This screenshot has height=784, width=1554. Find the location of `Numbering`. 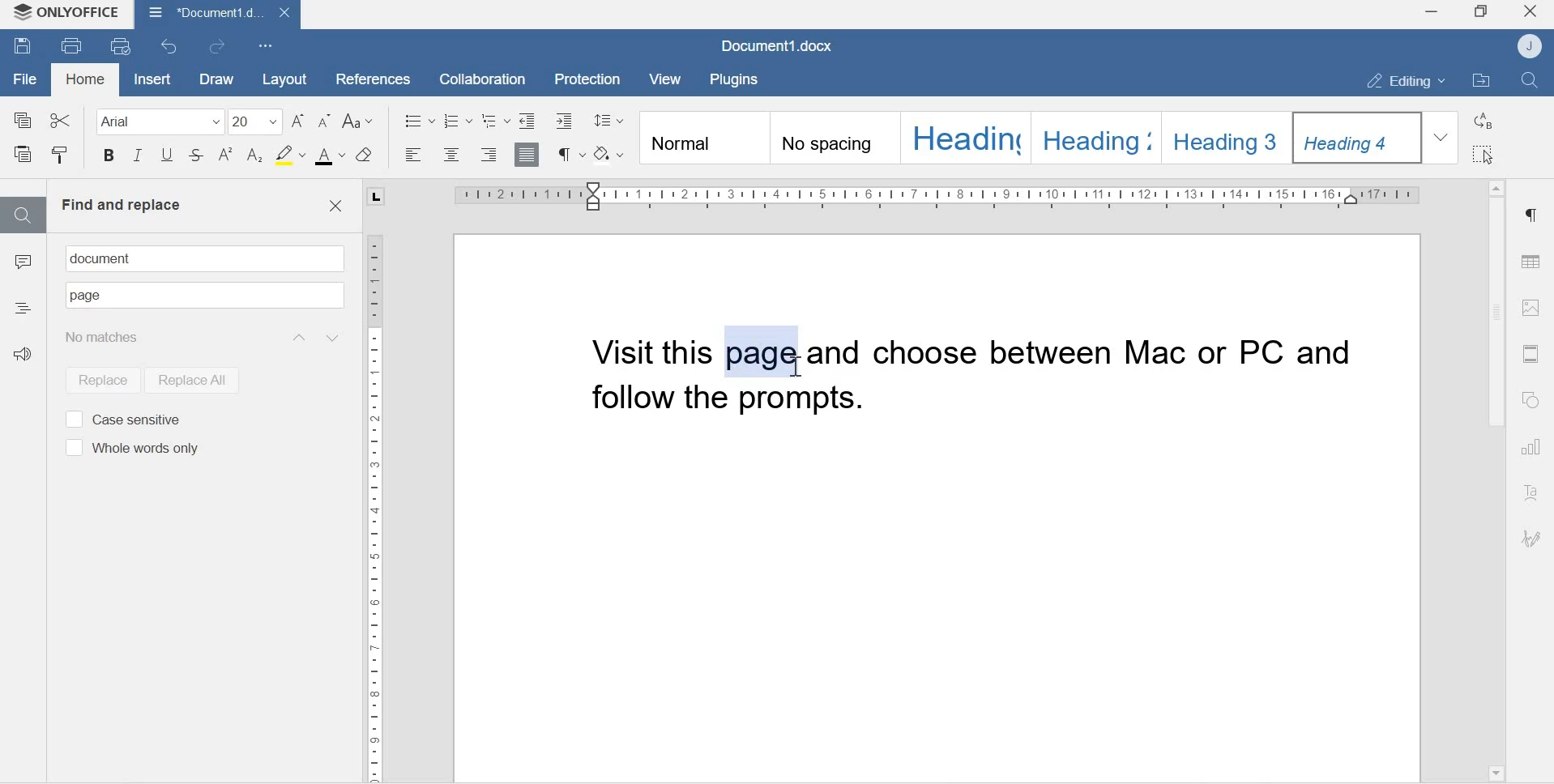

Numbering is located at coordinates (459, 120).